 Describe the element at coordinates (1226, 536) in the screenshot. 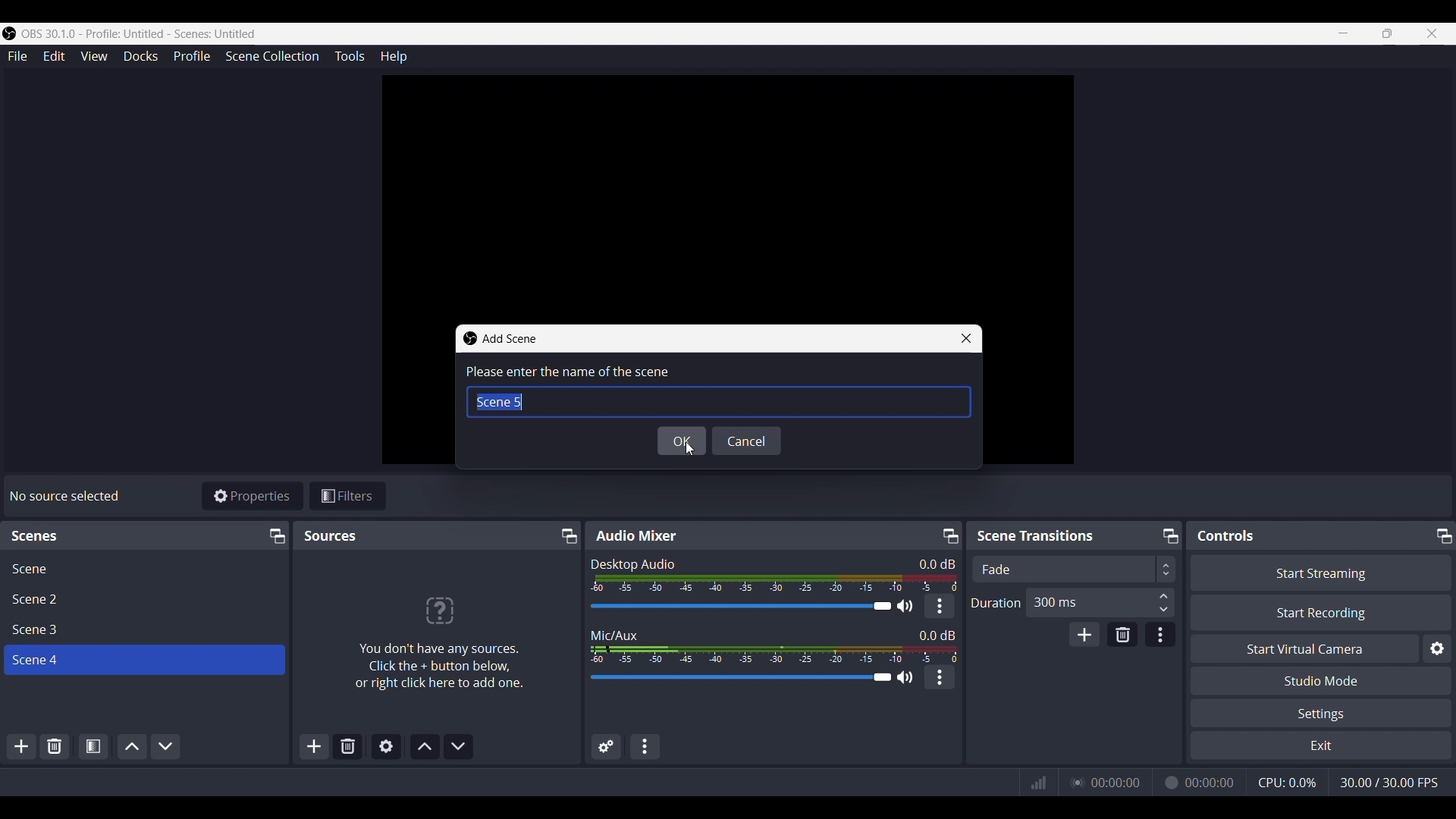

I see `Controls` at that location.